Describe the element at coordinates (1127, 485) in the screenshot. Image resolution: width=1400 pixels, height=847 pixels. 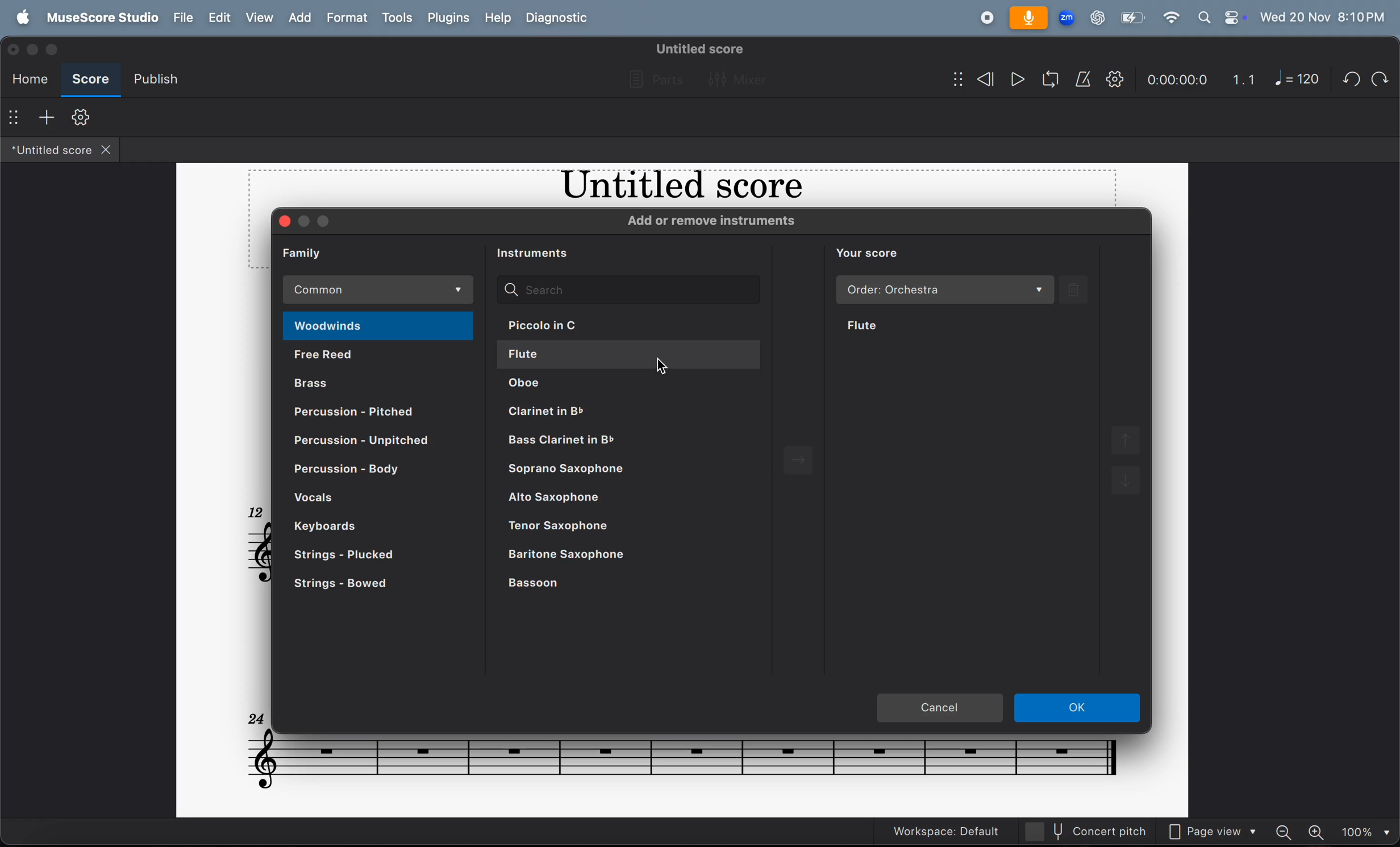
I see `move down` at that location.